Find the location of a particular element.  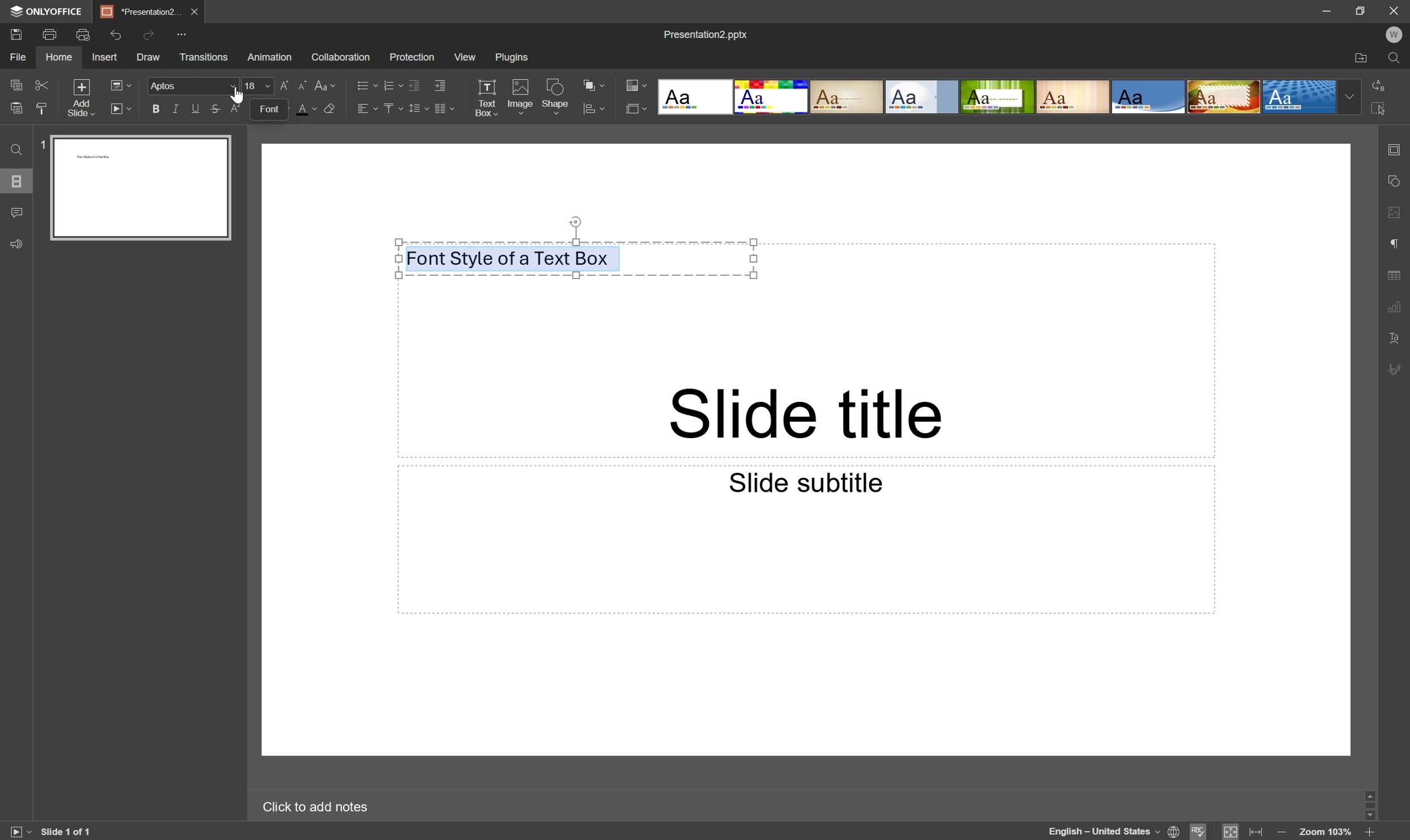

File is located at coordinates (19, 57).